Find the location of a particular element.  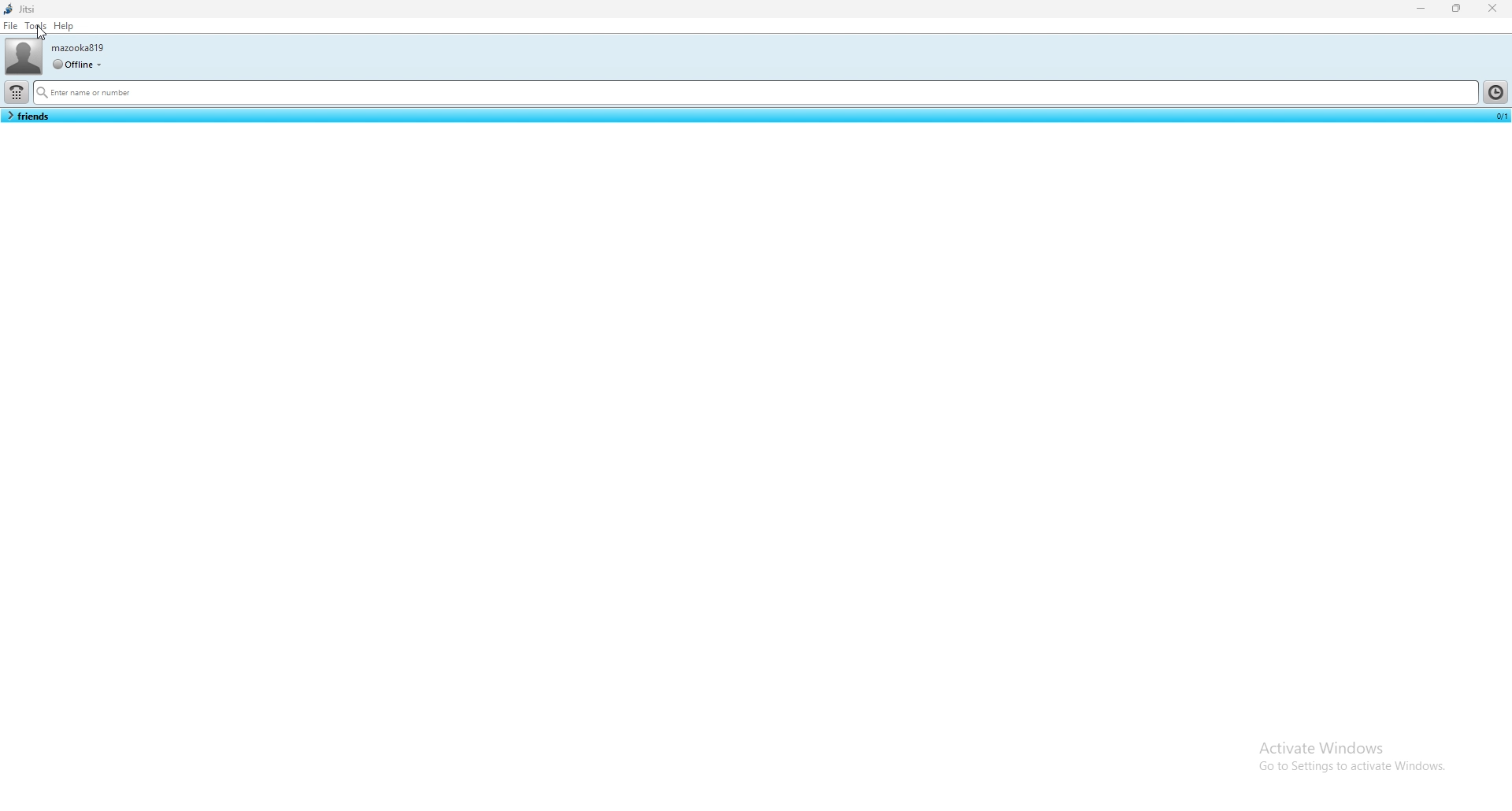

contact list is located at coordinates (28, 116).